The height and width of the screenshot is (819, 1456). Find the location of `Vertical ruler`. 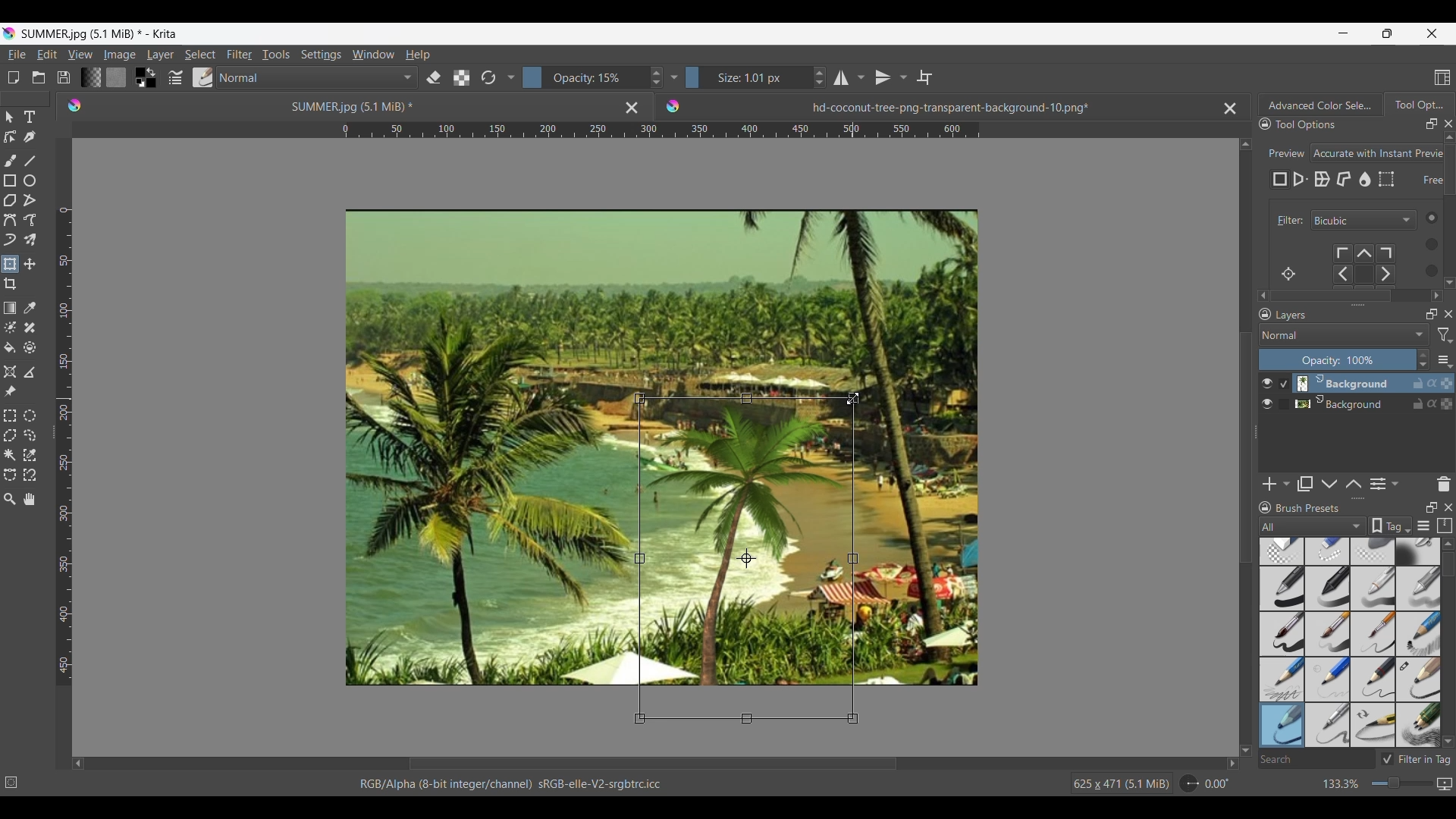

Vertical ruler is located at coordinates (64, 447).